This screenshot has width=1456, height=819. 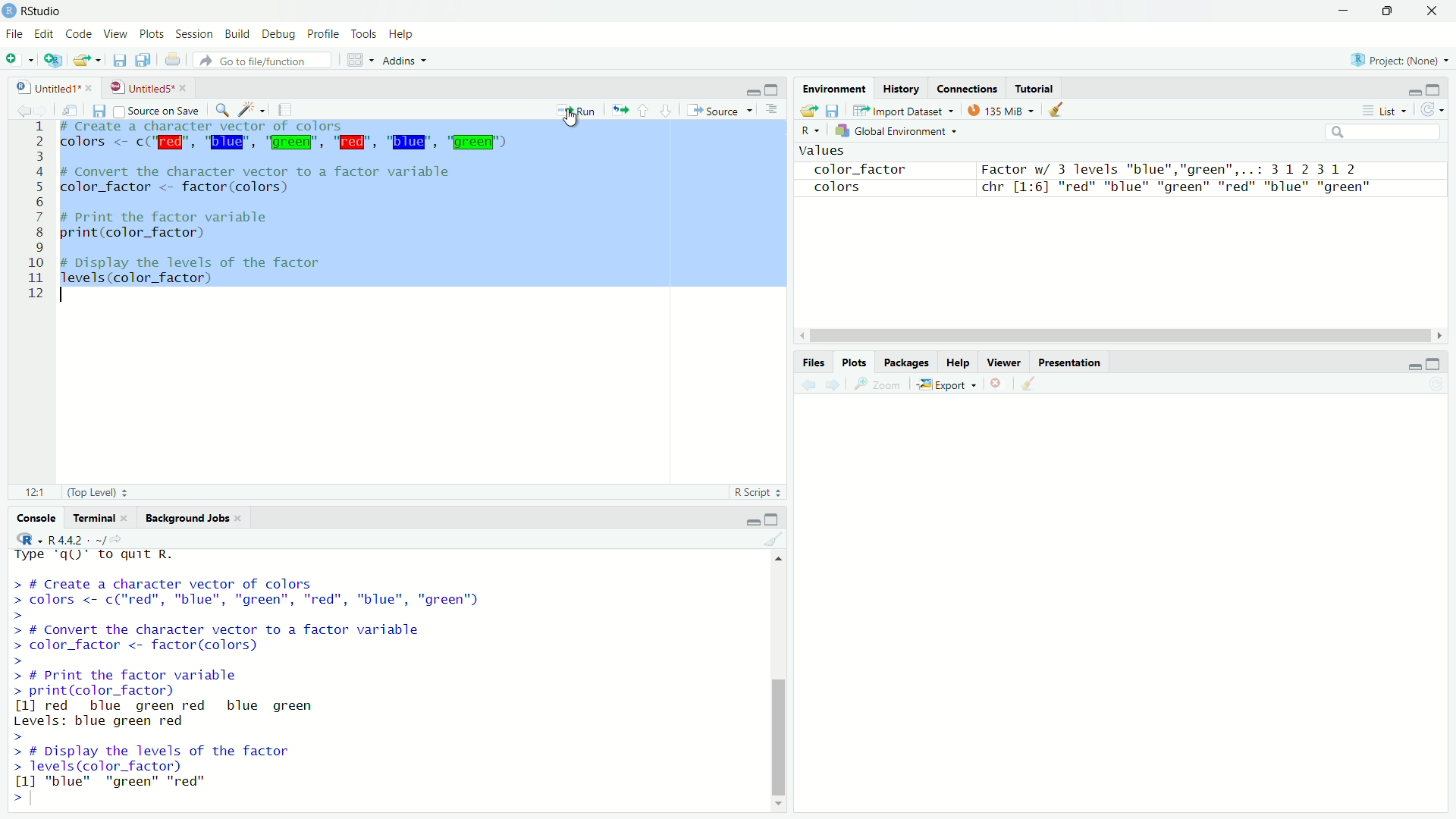 I want to click on clear all plots, so click(x=1028, y=384).